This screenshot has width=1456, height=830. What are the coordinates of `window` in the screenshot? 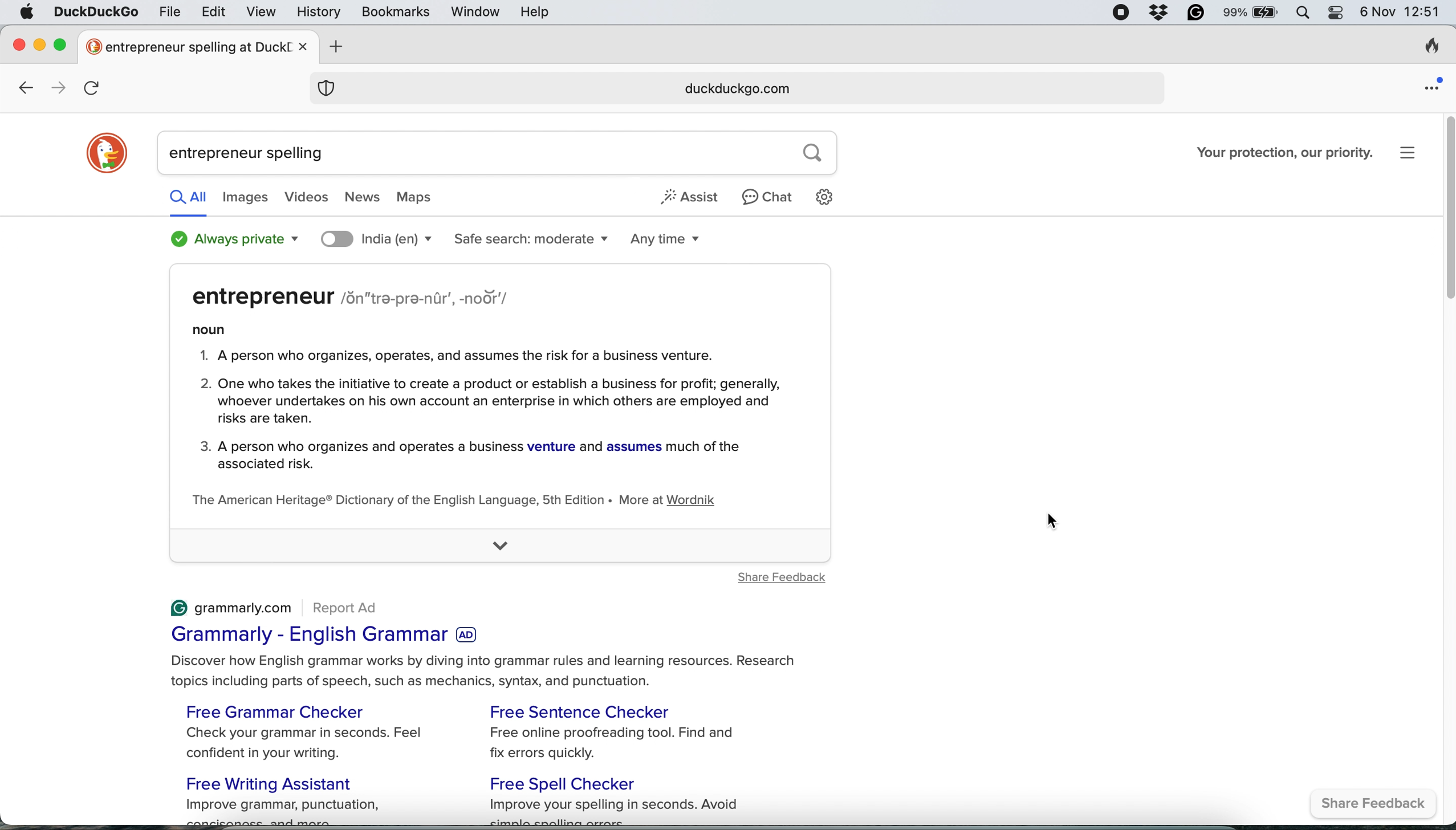 It's located at (473, 12).